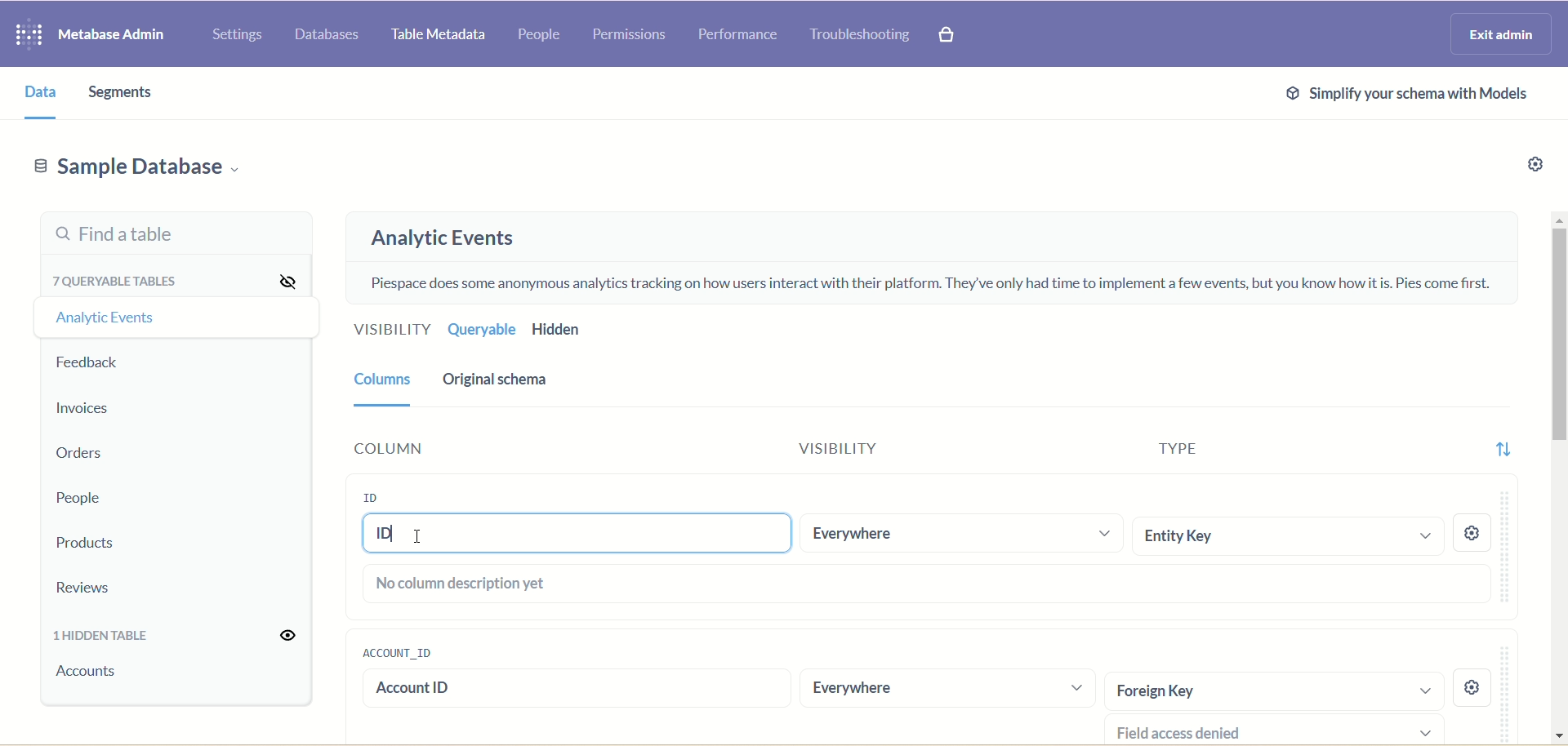 Image resolution: width=1568 pixels, height=746 pixels. What do you see at coordinates (78, 452) in the screenshot?
I see `Orders` at bounding box center [78, 452].